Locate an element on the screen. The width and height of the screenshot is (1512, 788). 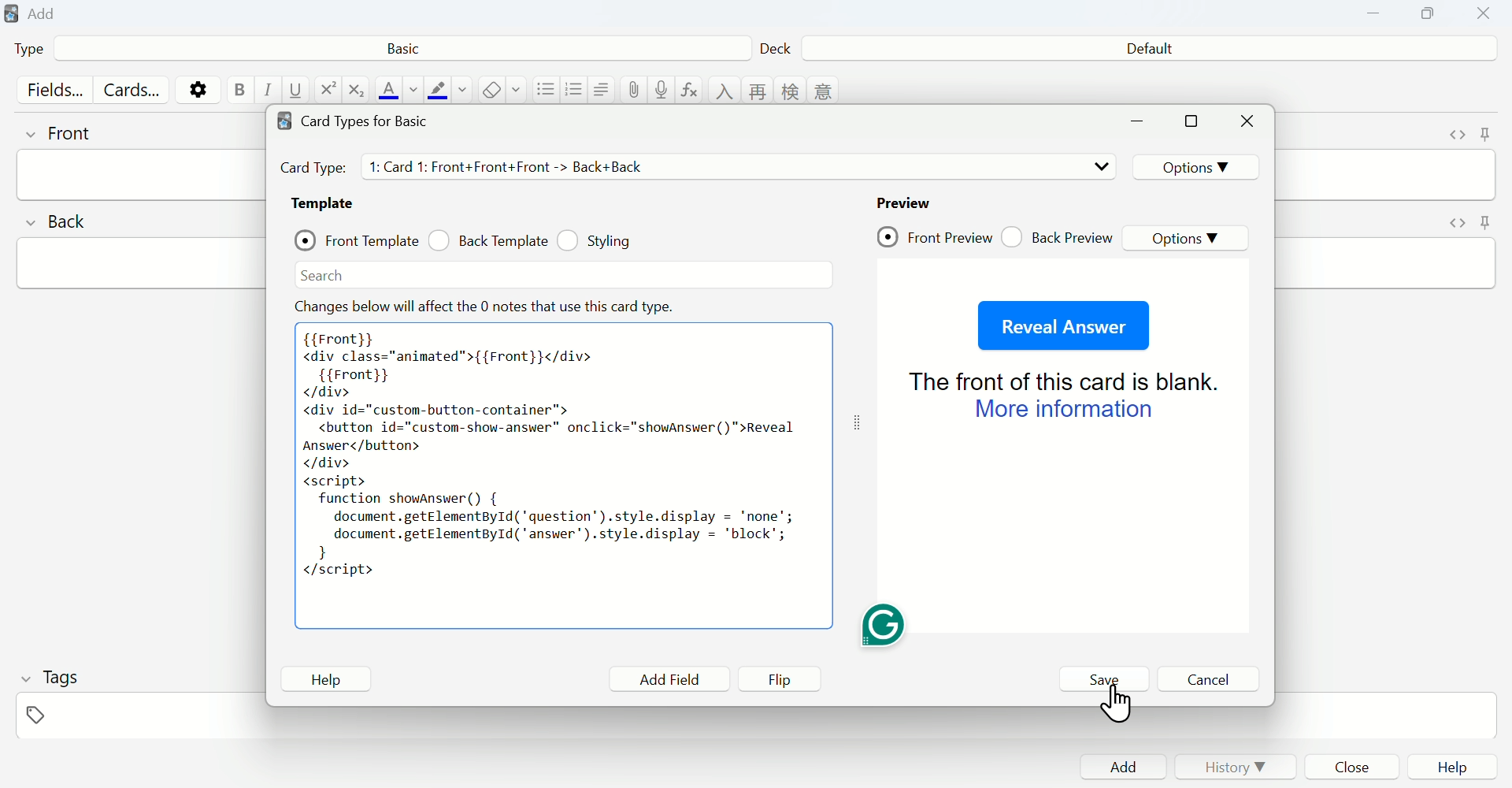
Default is located at coordinates (1153, 49).